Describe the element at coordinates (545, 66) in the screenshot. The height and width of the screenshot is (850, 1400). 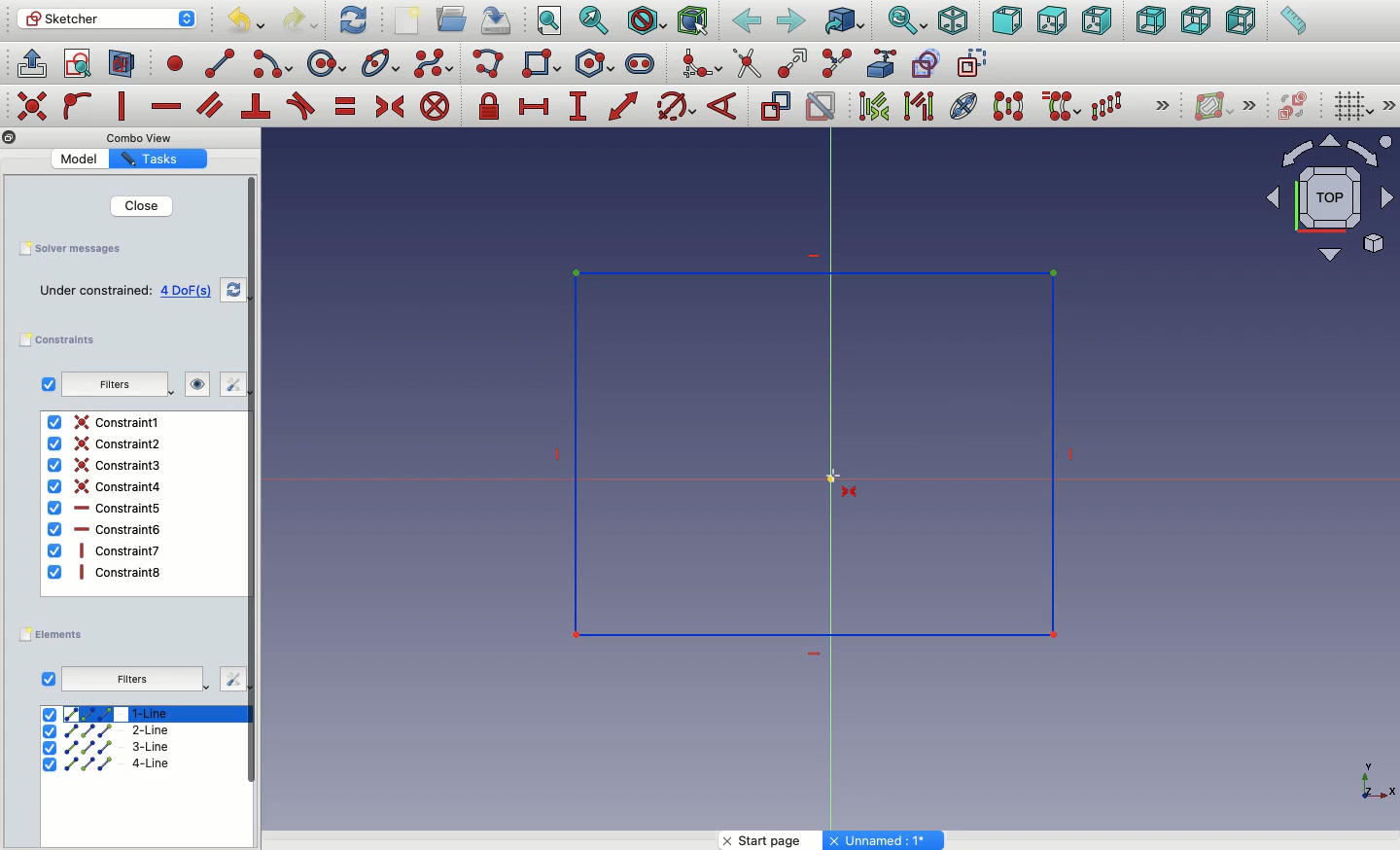
I see `Rectangle` at that location.